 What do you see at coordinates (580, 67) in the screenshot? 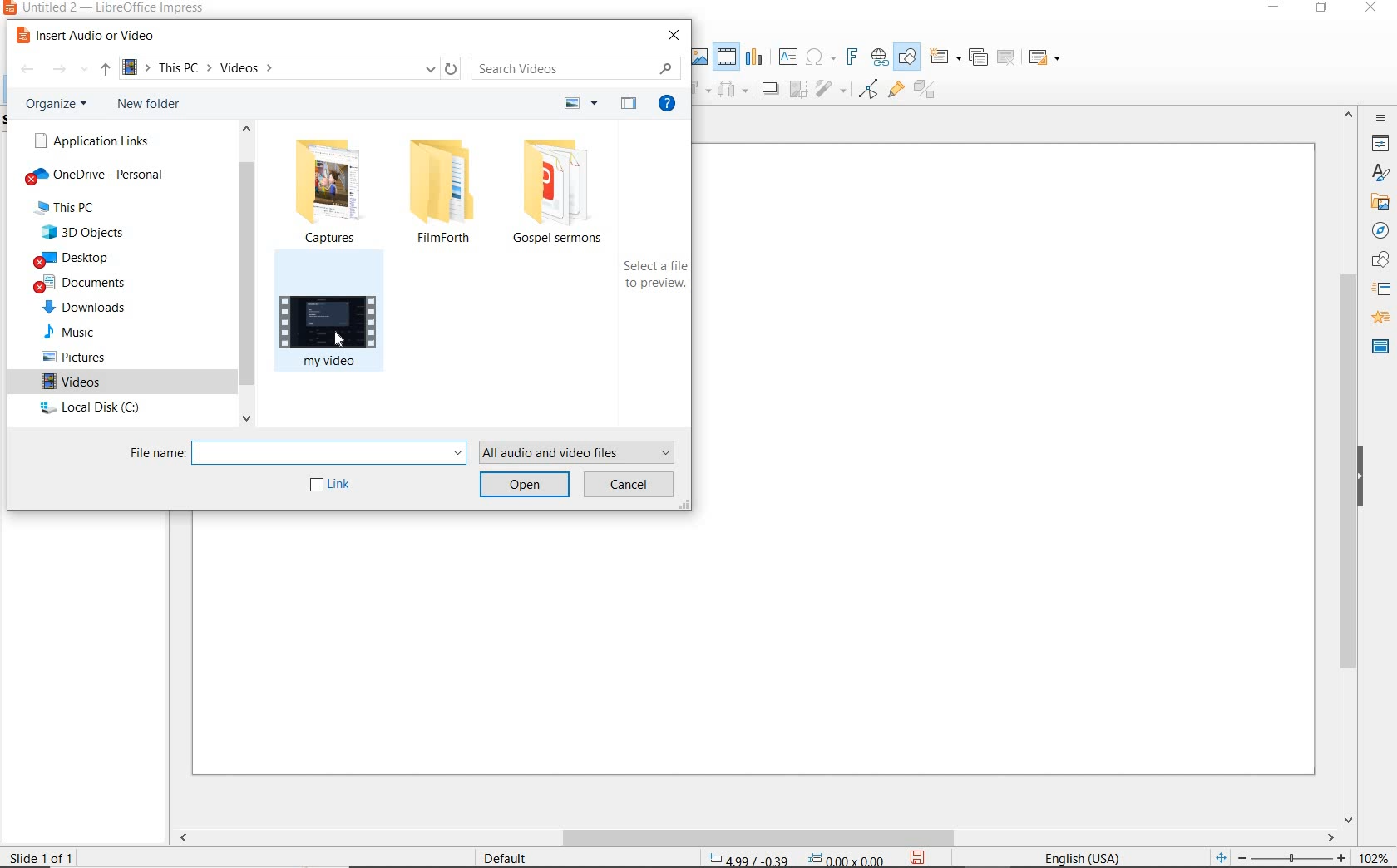
I see `SEARCH VIDEO` at bounding box center [580, 67].